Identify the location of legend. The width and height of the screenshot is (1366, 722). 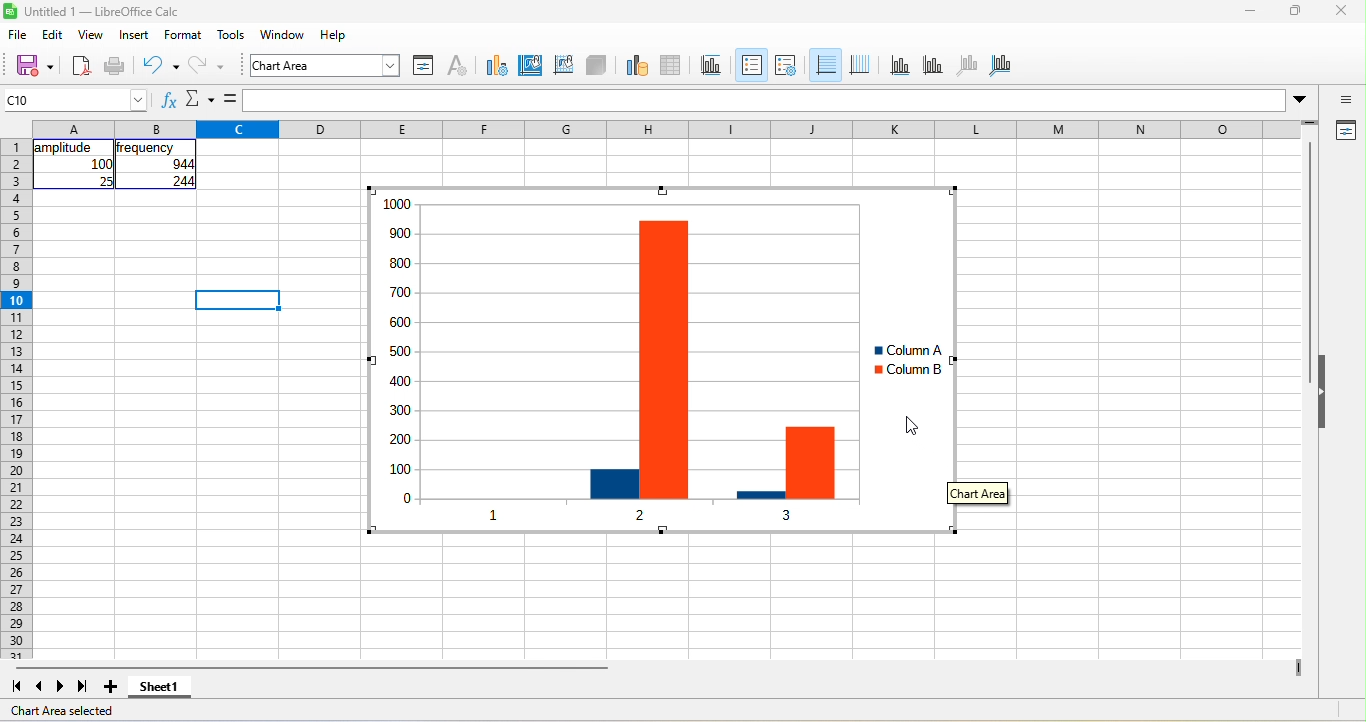
(786, 66).